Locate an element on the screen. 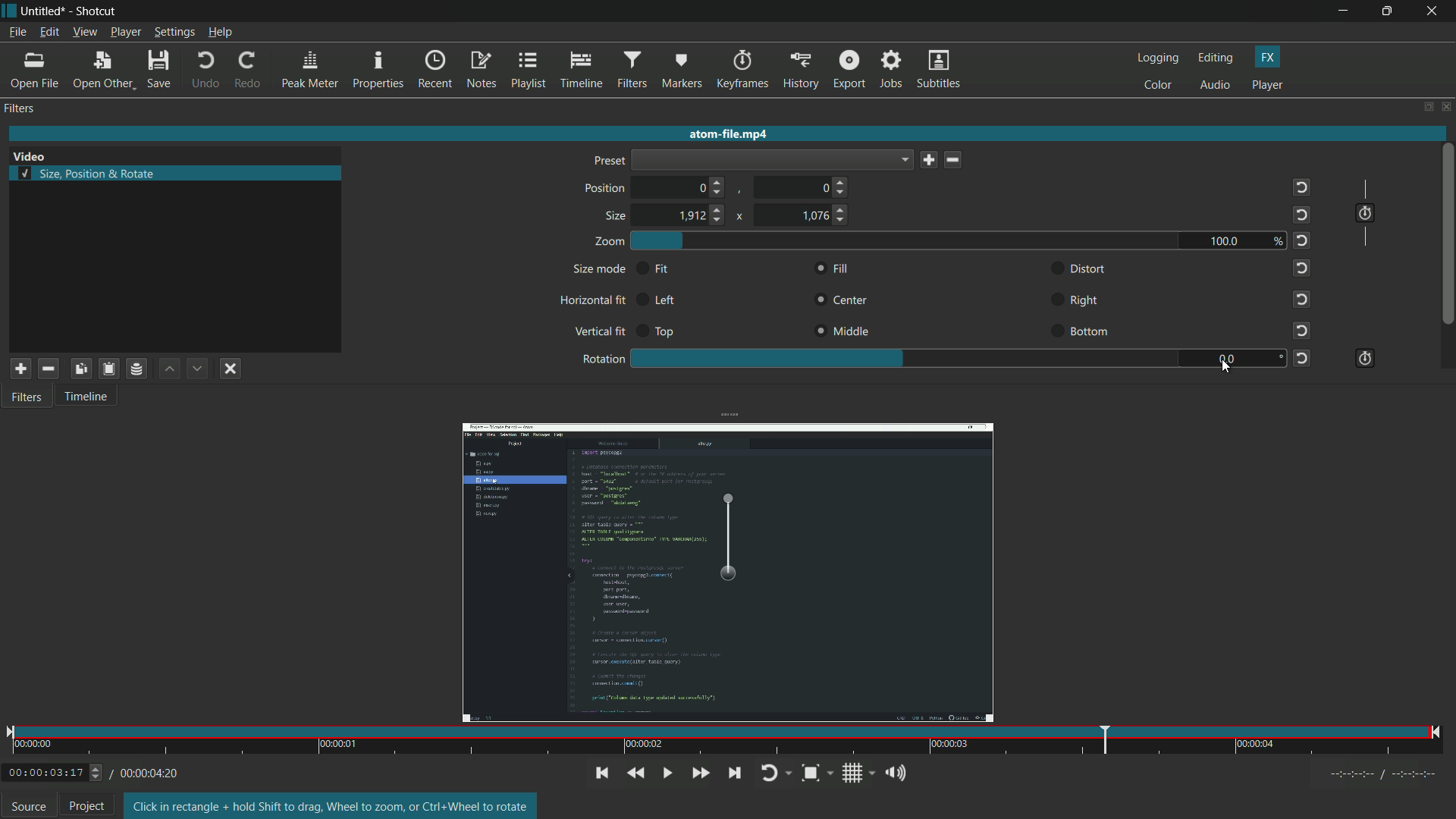 This screenshot has width=1456, height=819. recent is located at coordinates (435, 70).